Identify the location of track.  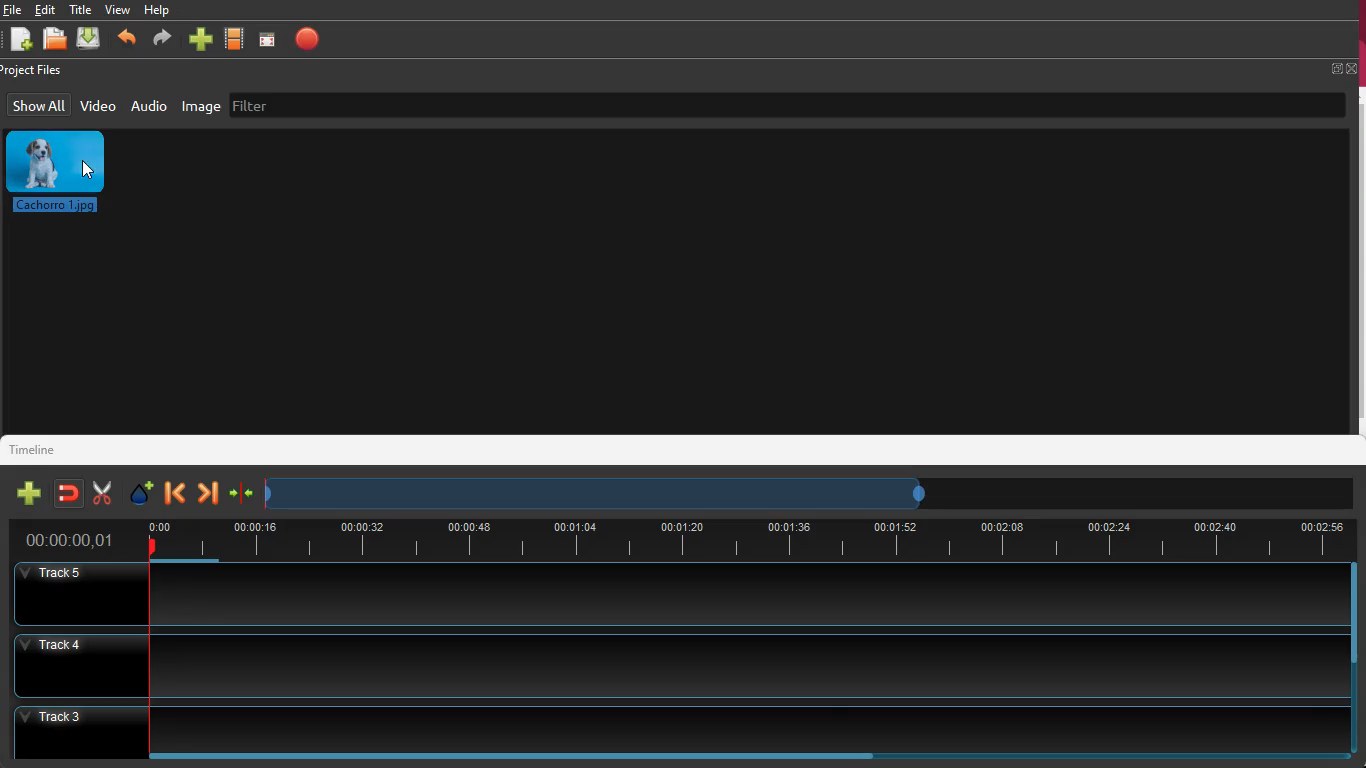
(668, 722).